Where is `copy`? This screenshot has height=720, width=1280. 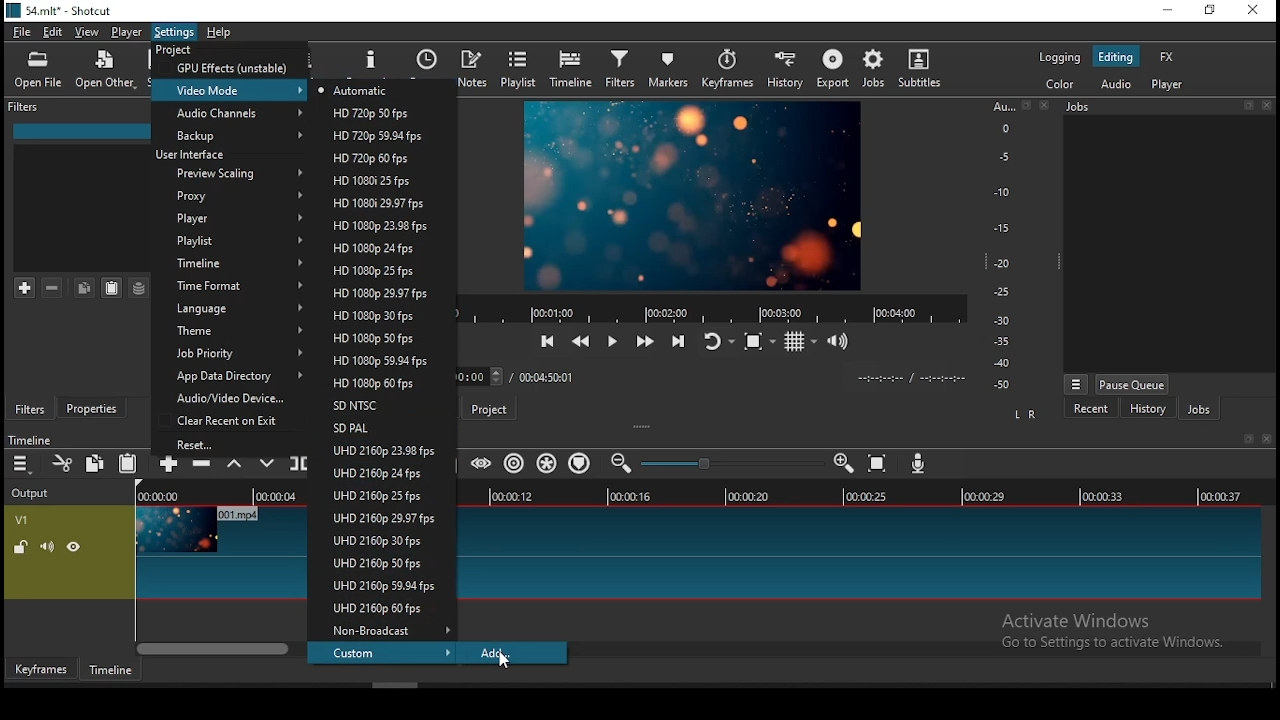
copy is located at coordinates (84, 287).